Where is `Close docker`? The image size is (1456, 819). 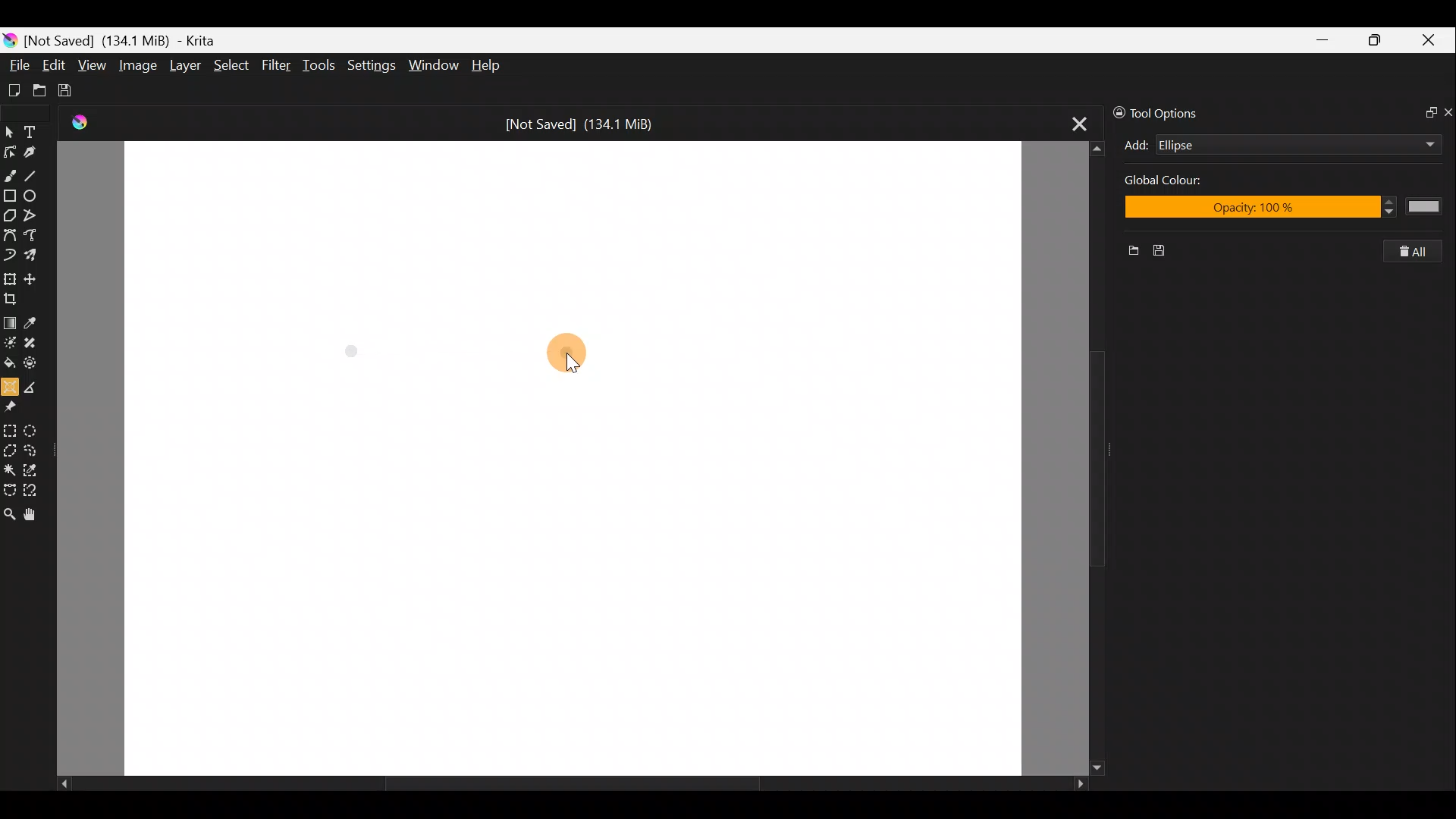 Close docker is located at coordinates (1447, 111).